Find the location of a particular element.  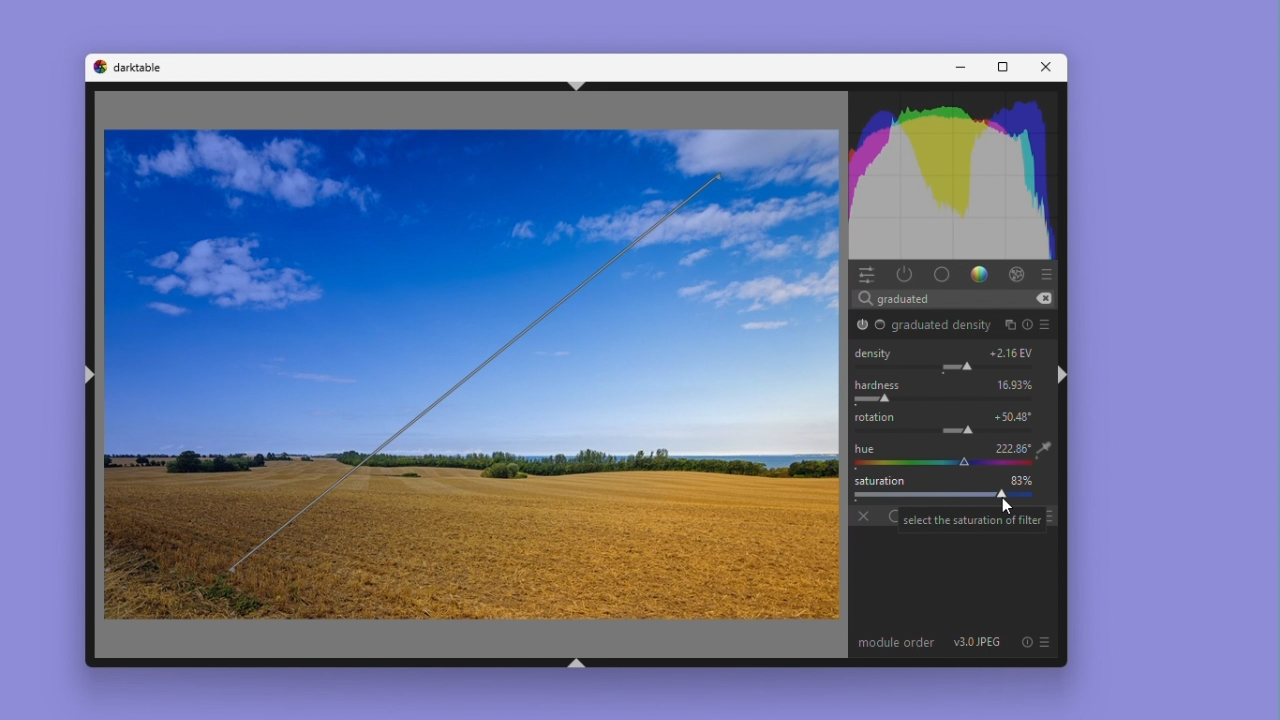

rotation is located at coordinates (877, 417).